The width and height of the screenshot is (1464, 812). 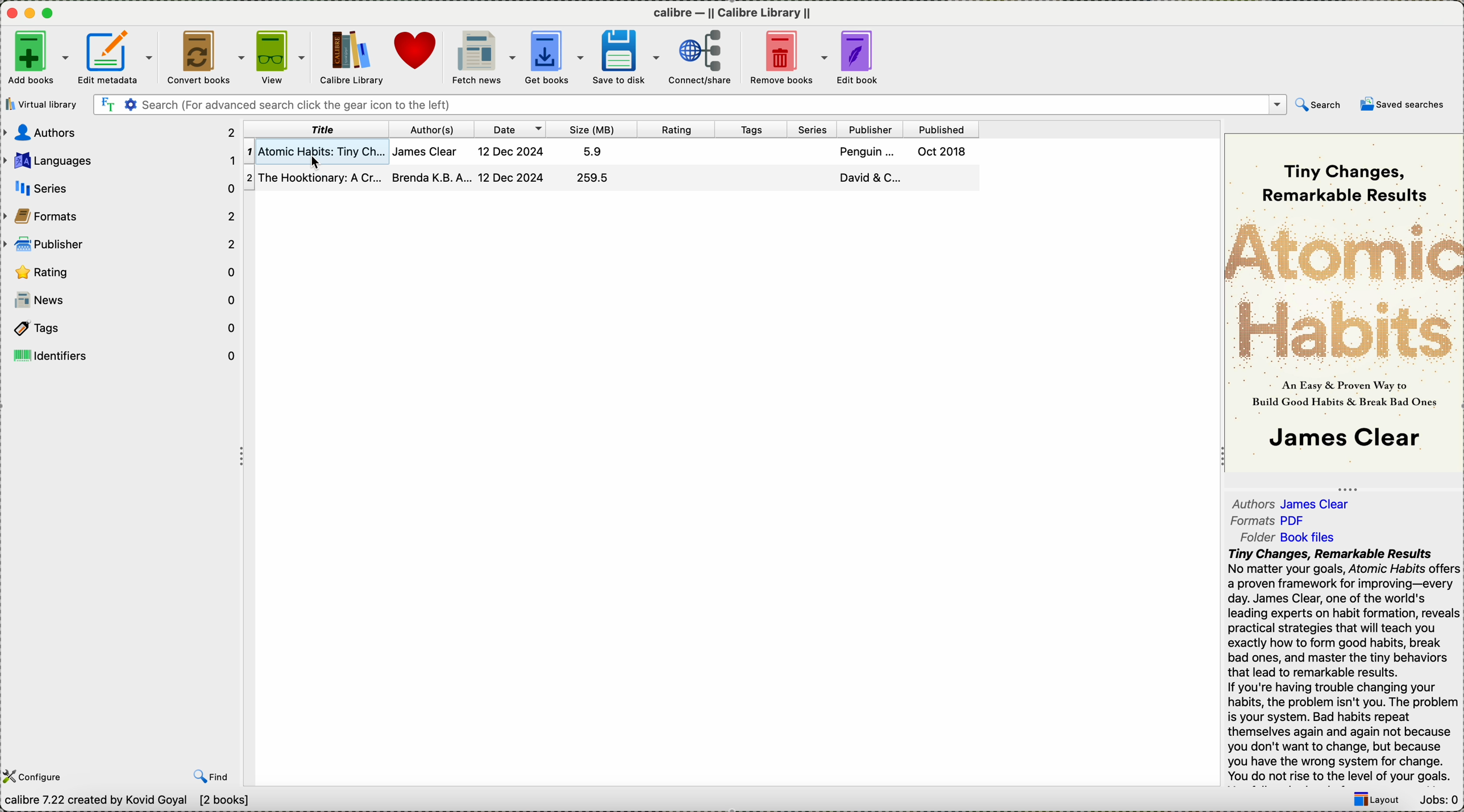 I want to click on edit book, so click(x=859, y=59).